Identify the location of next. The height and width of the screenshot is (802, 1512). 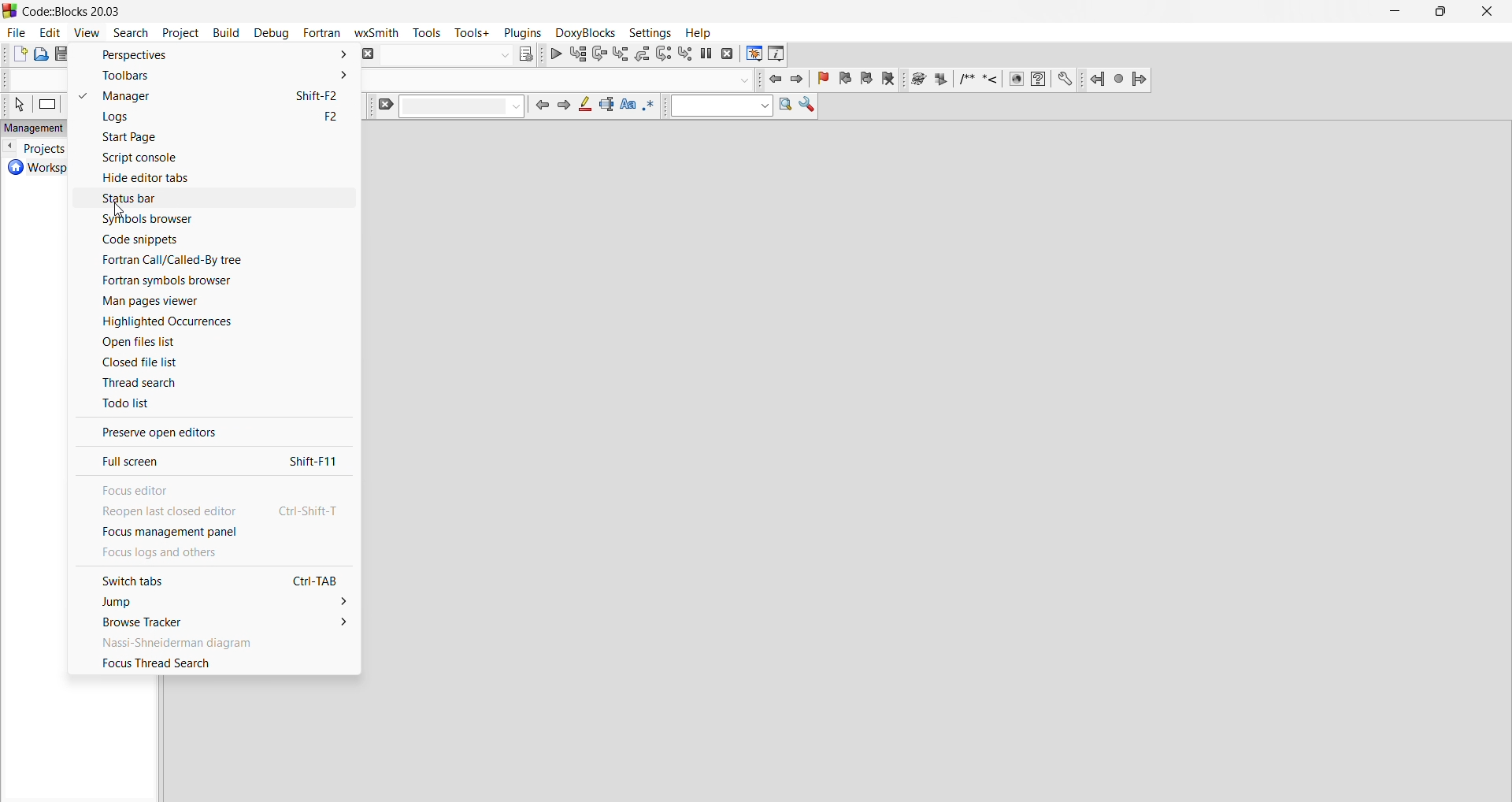
(562, 108).